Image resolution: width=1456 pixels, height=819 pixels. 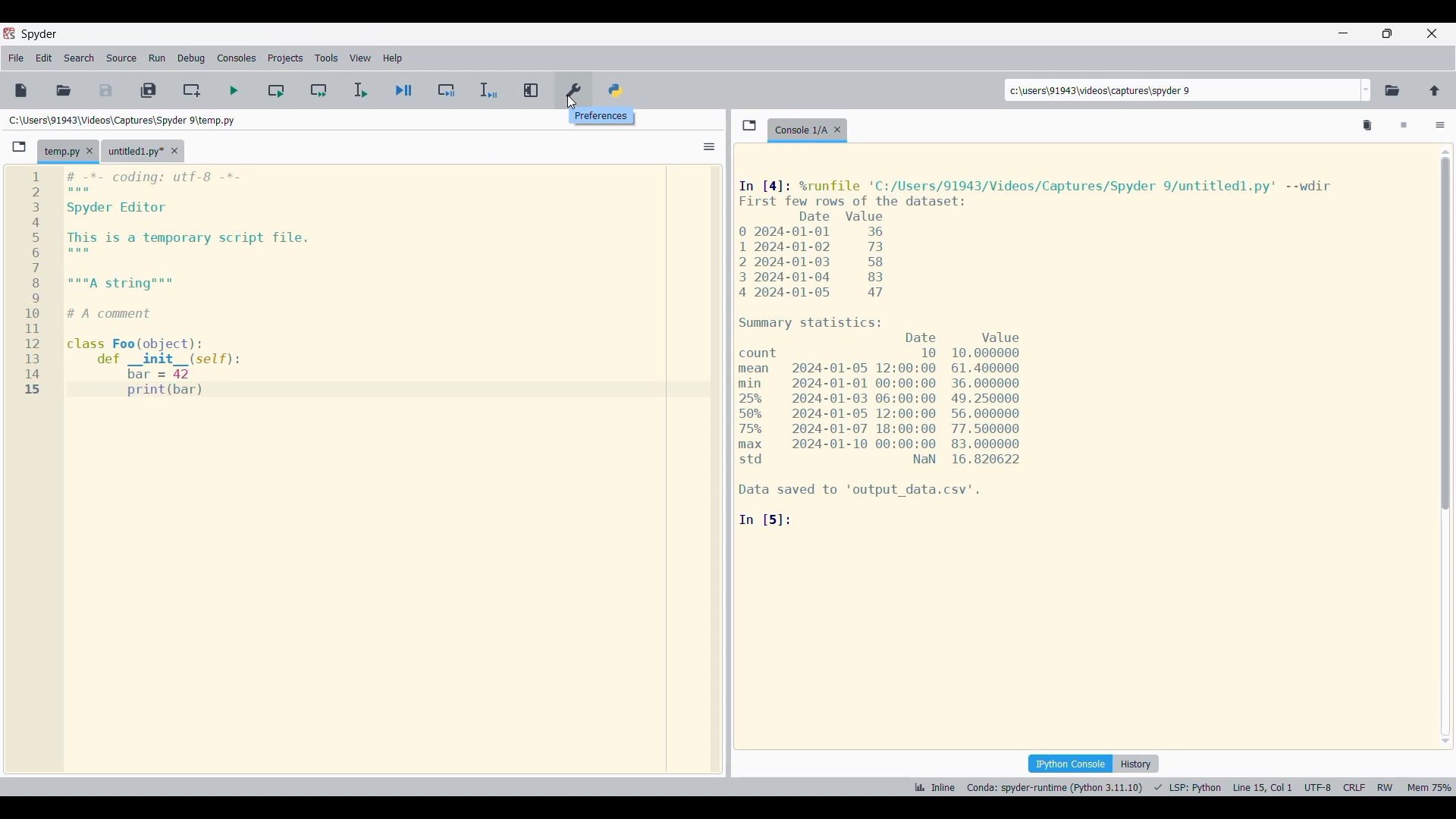 What do you see at coordinates (1440, 127) in the screenshot?
I see `Options` at bounding box center [1440, 127].